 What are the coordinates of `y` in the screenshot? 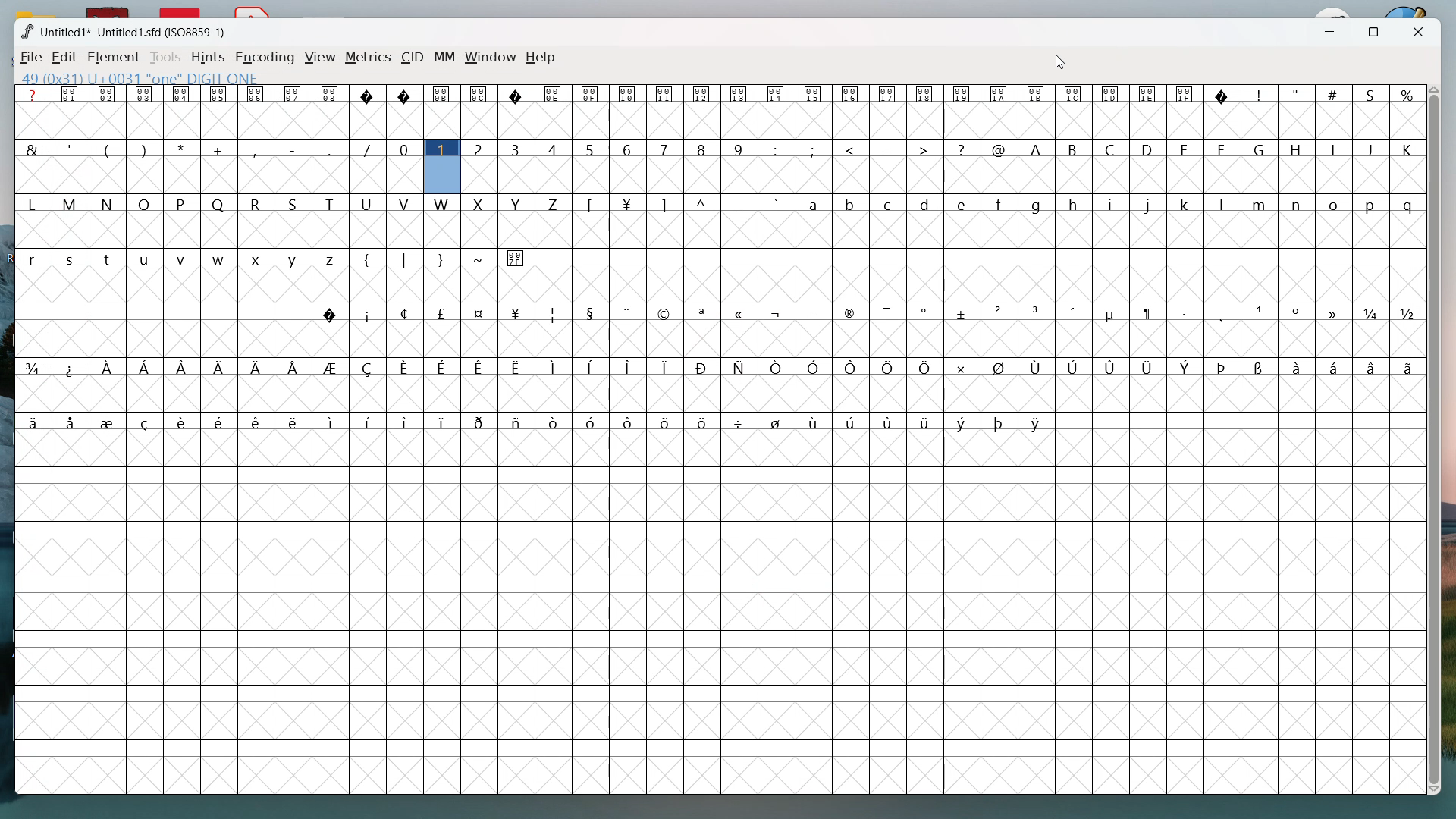 It's located at (294, 259).